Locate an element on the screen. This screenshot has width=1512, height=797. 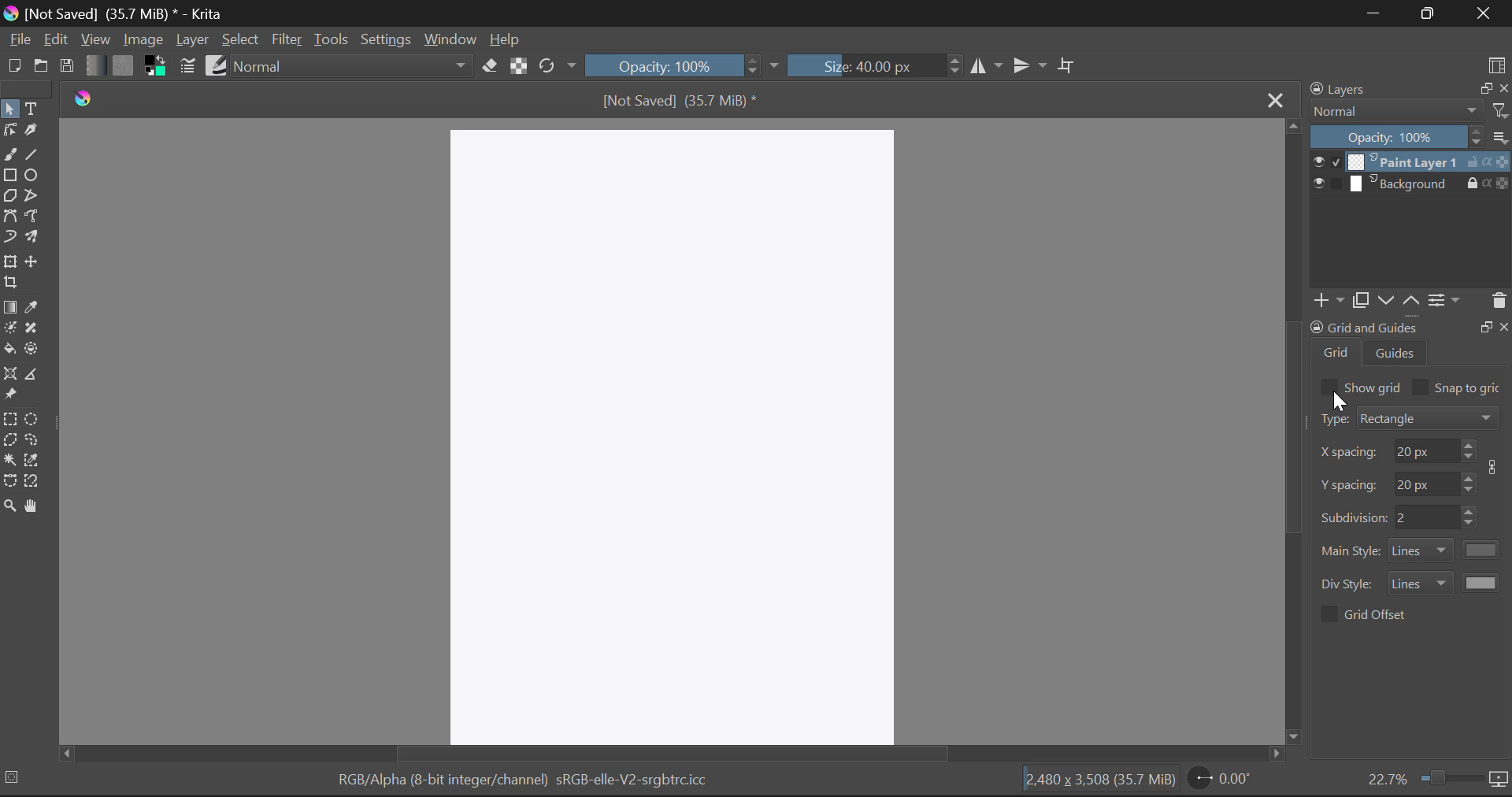
Colorize Mask Tool is located at coordinates (9, 331).